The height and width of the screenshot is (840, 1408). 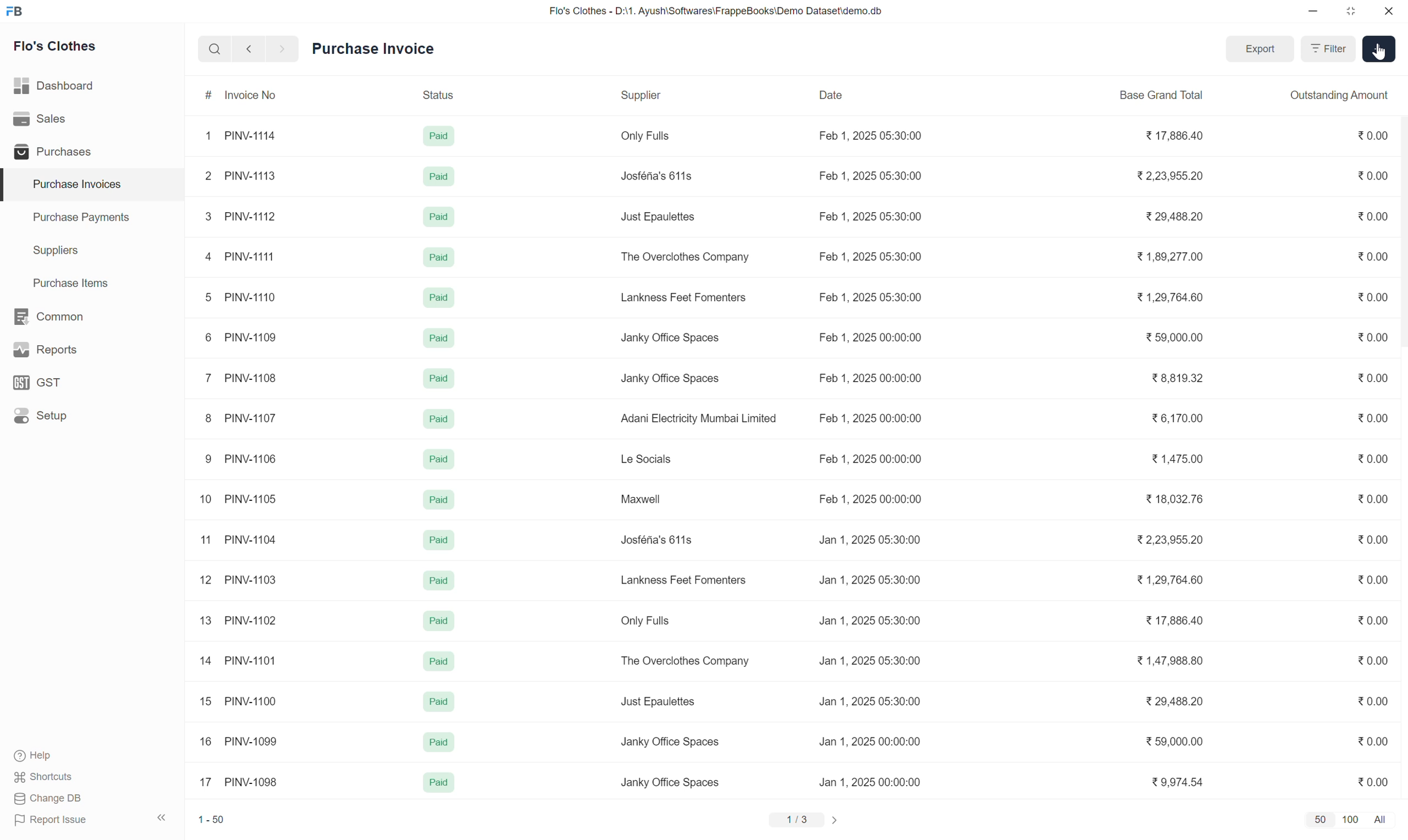 I want to click on 1/3, so click(x=797, y=819).